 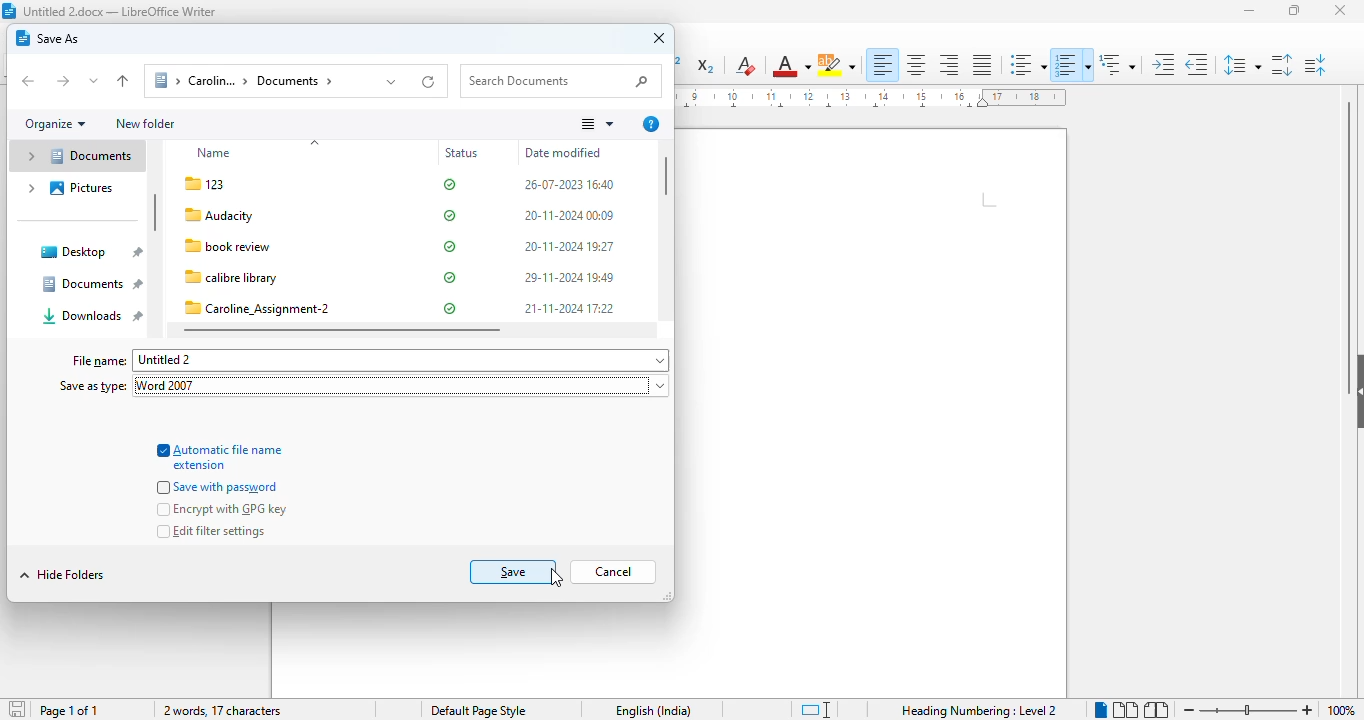 I want to click on pictures, so click(x=68, y=188).